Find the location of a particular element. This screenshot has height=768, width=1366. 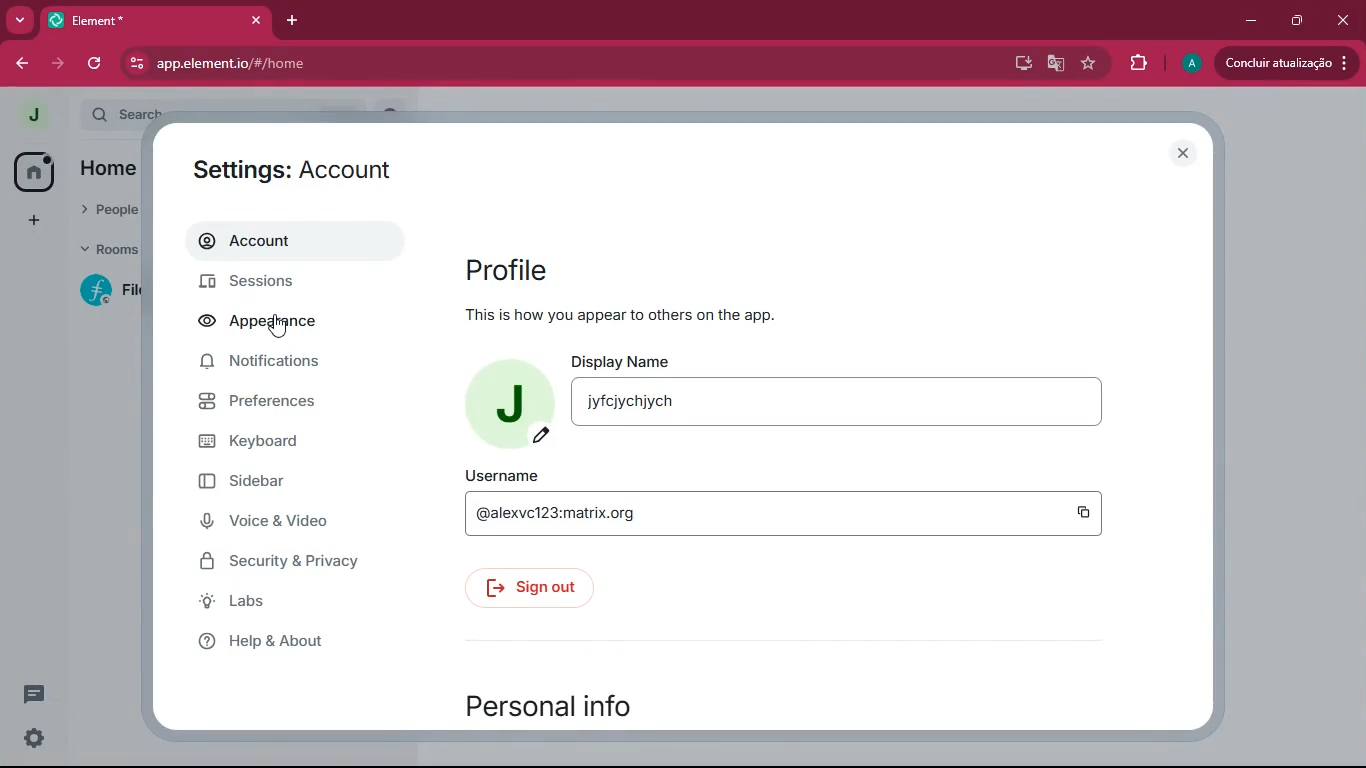

back is located at coordinates (15, 64).